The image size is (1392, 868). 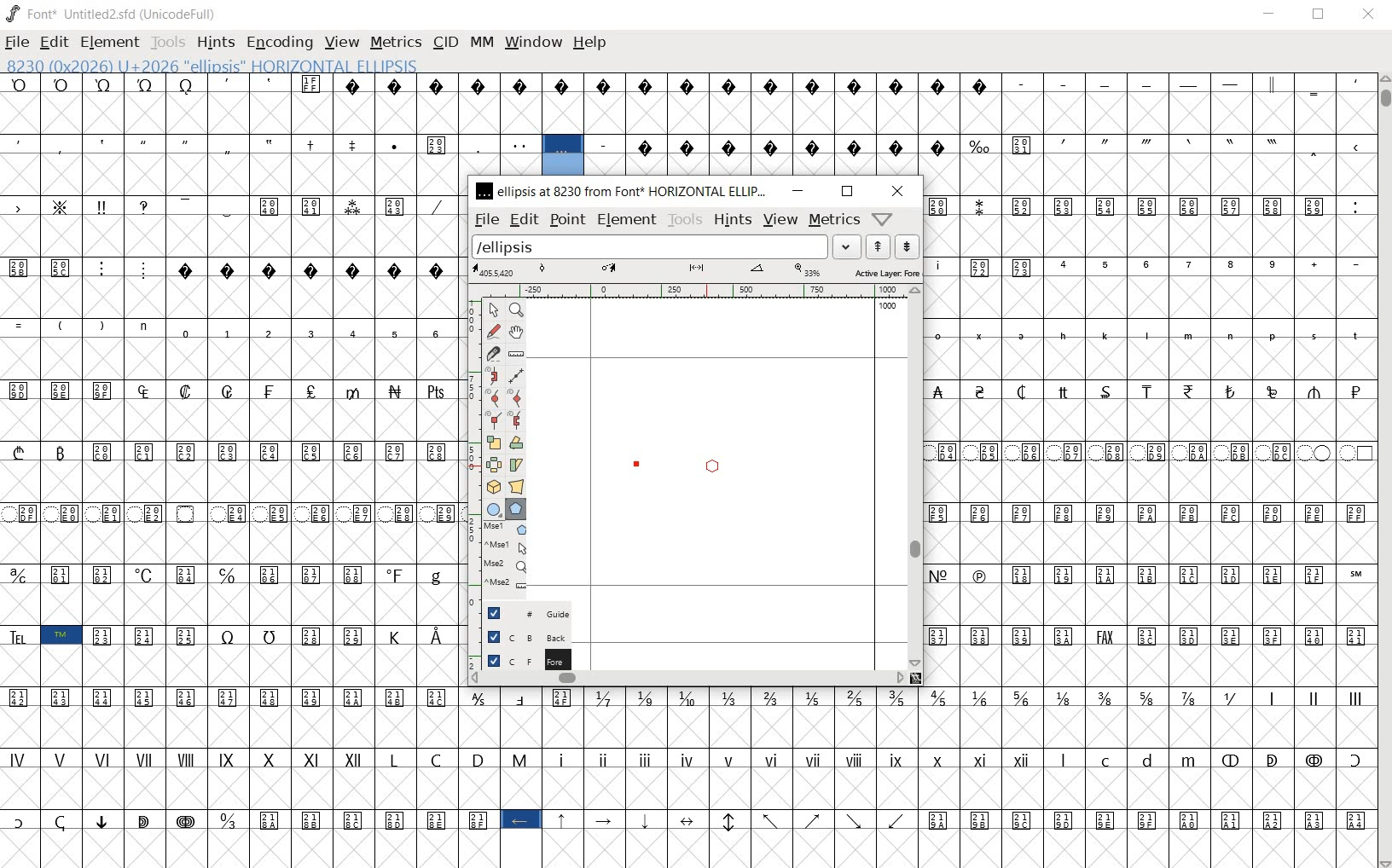 I want to click on , so click(x=779, y=219).